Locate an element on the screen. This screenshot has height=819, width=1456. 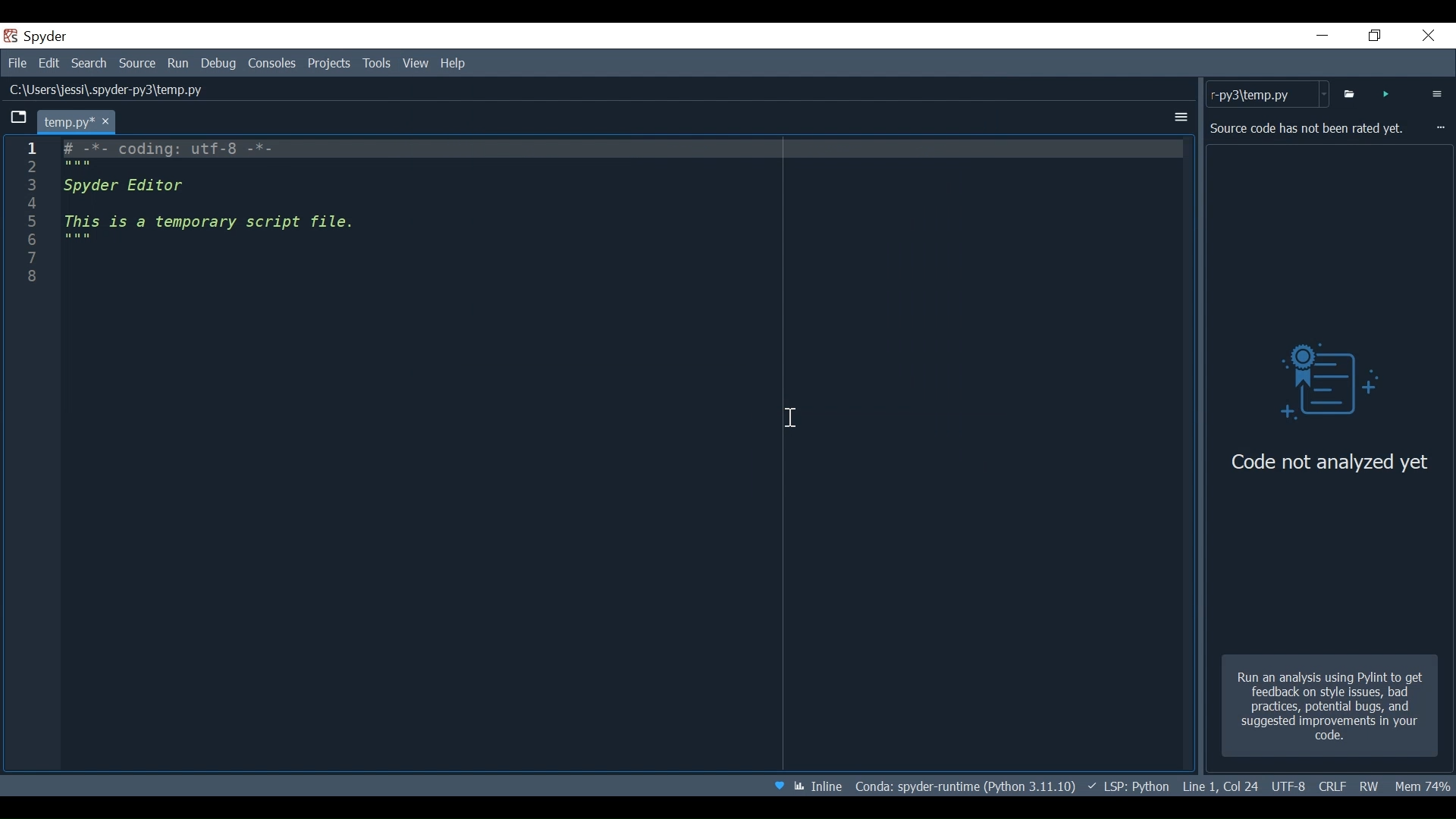
Run an analysis using Pylint to get feedback on styles issues, bad practices, potential bugs, and suggested improvements on your code is located at coordinates (1331, 705).